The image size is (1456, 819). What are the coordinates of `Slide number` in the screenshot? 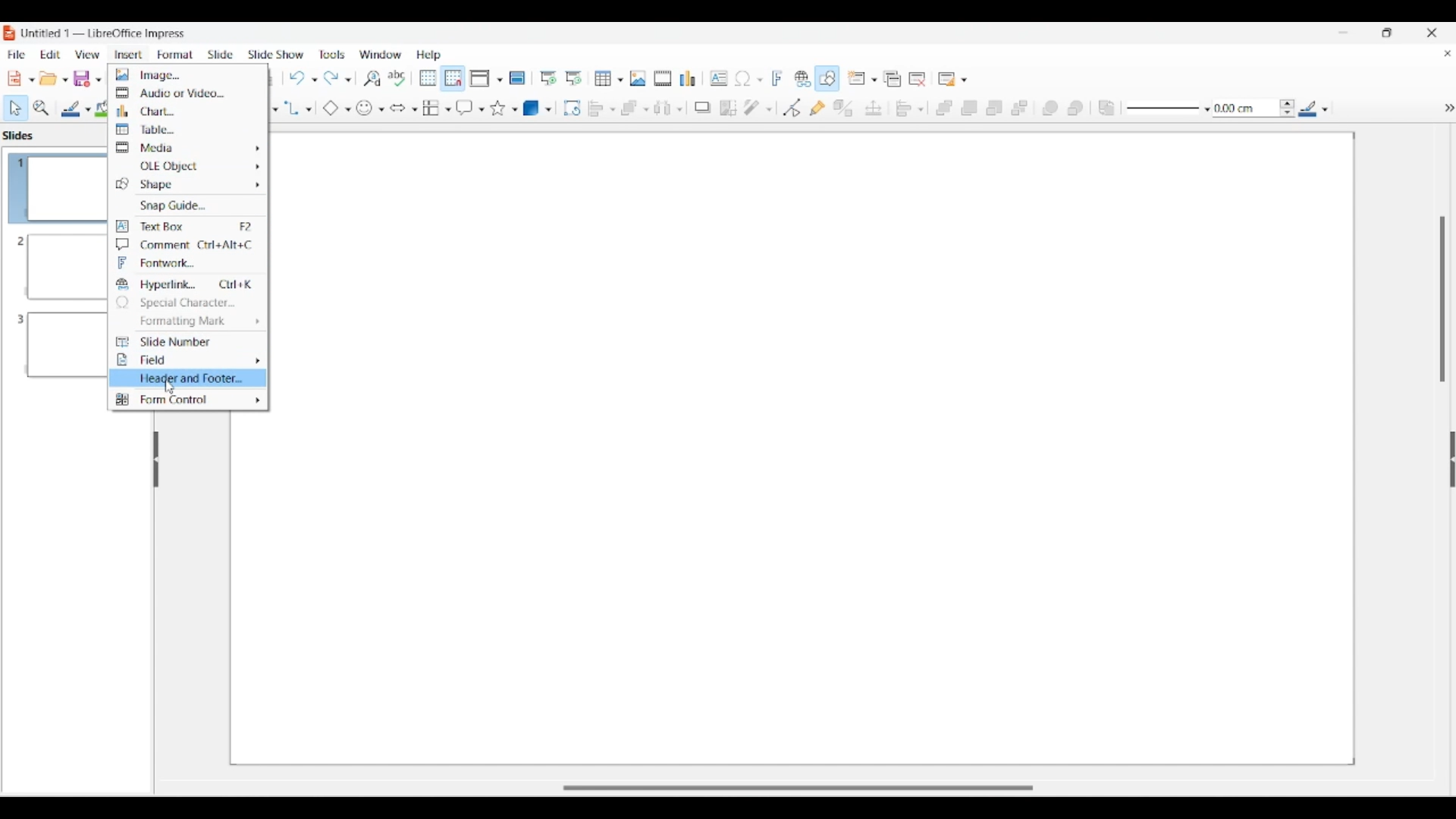 It's located at (187, 341).